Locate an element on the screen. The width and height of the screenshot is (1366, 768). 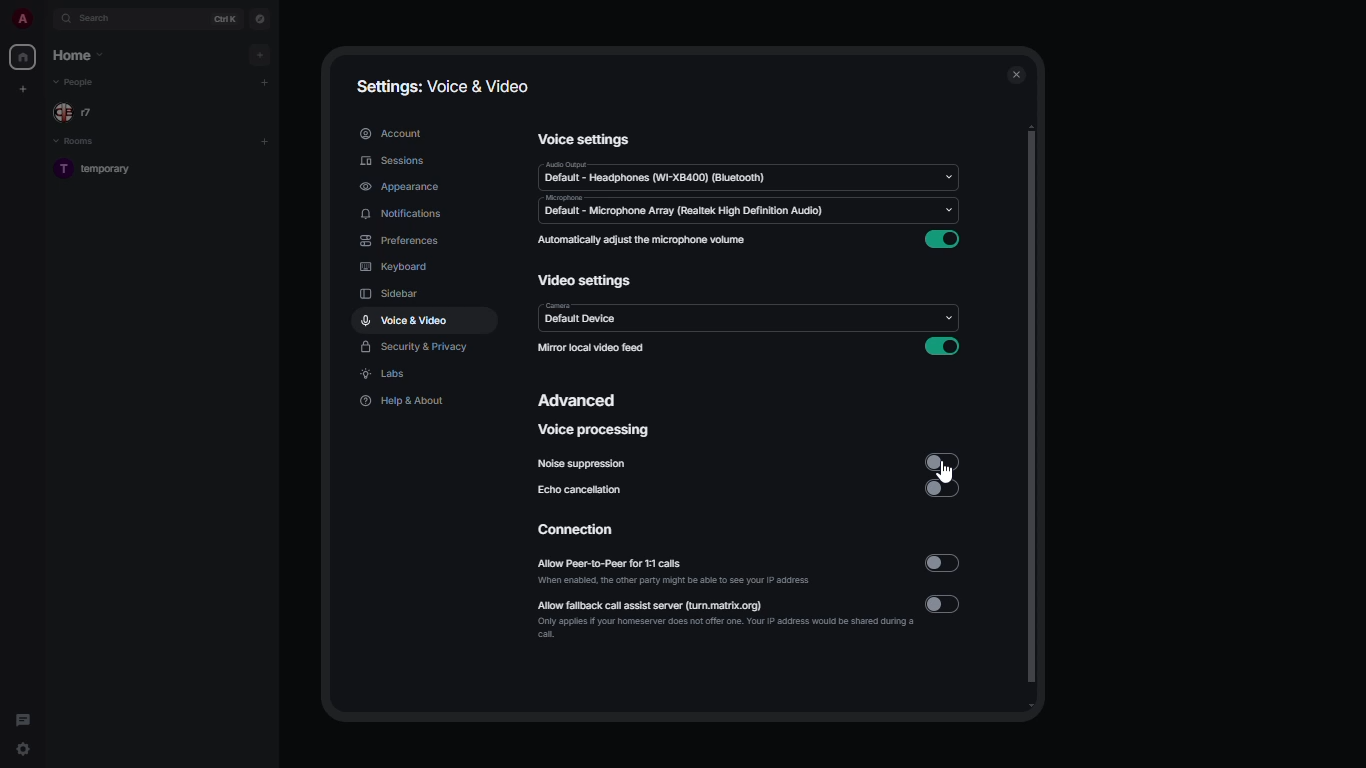
cursor is located at coordinates (948, 471).